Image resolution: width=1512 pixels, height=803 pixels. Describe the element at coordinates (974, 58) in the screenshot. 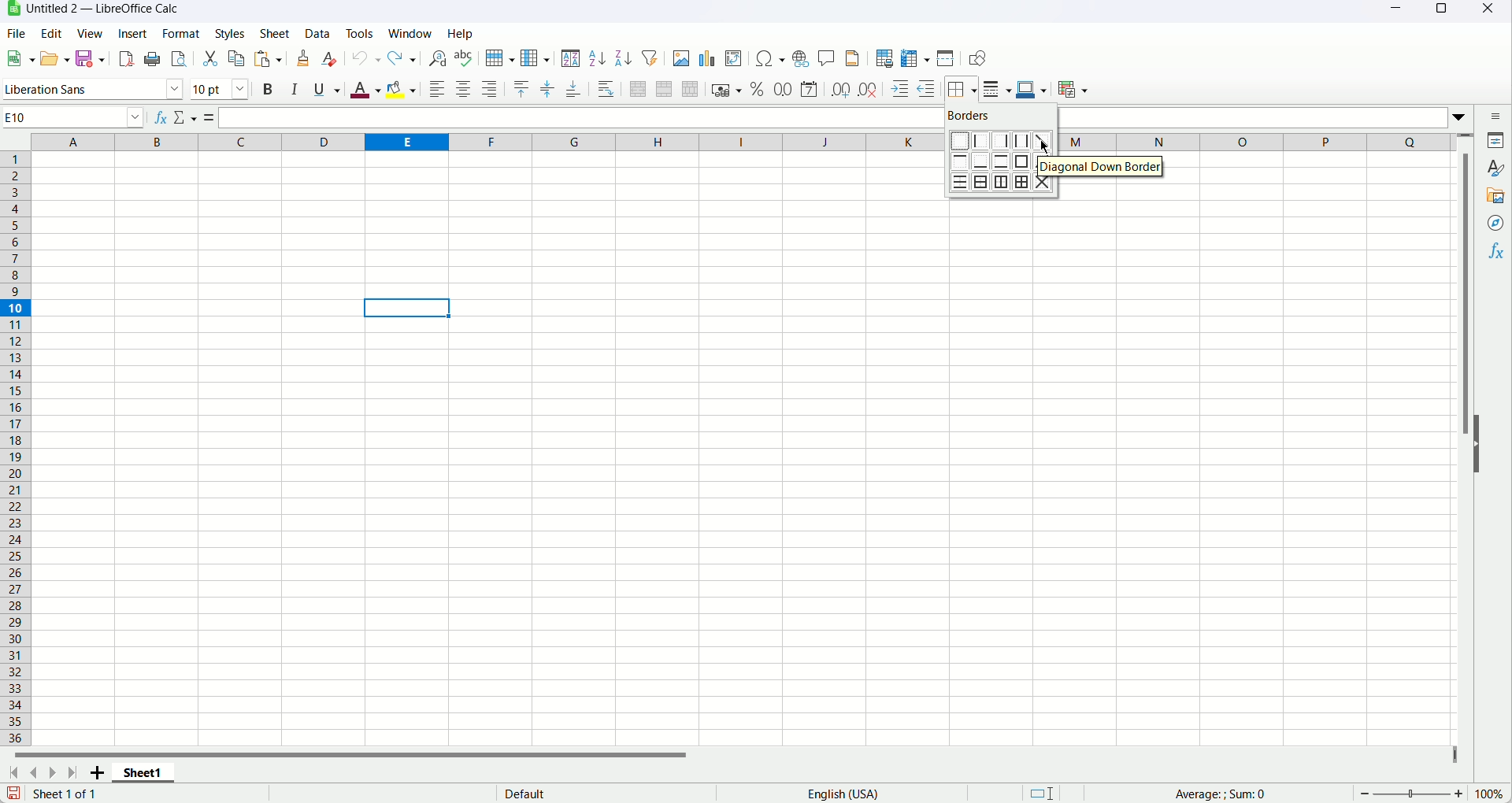

I see `Show draw functions` at that location.